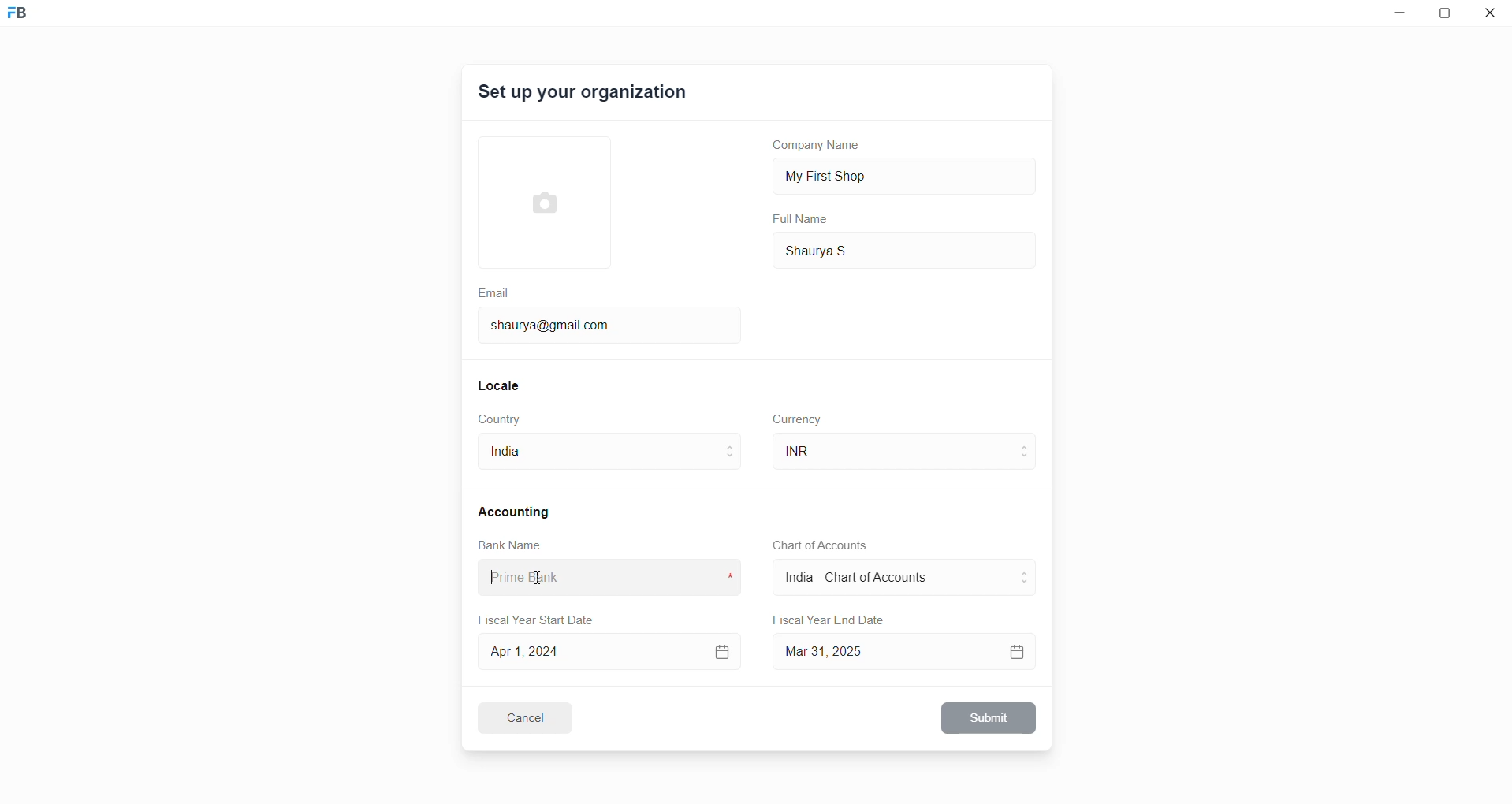 Image resolution: width=1512 pixels, height=804 pixels. What do you see at coordinates (532, 455) in the screenshot?
I see `India` at bounding box center [532, 455].